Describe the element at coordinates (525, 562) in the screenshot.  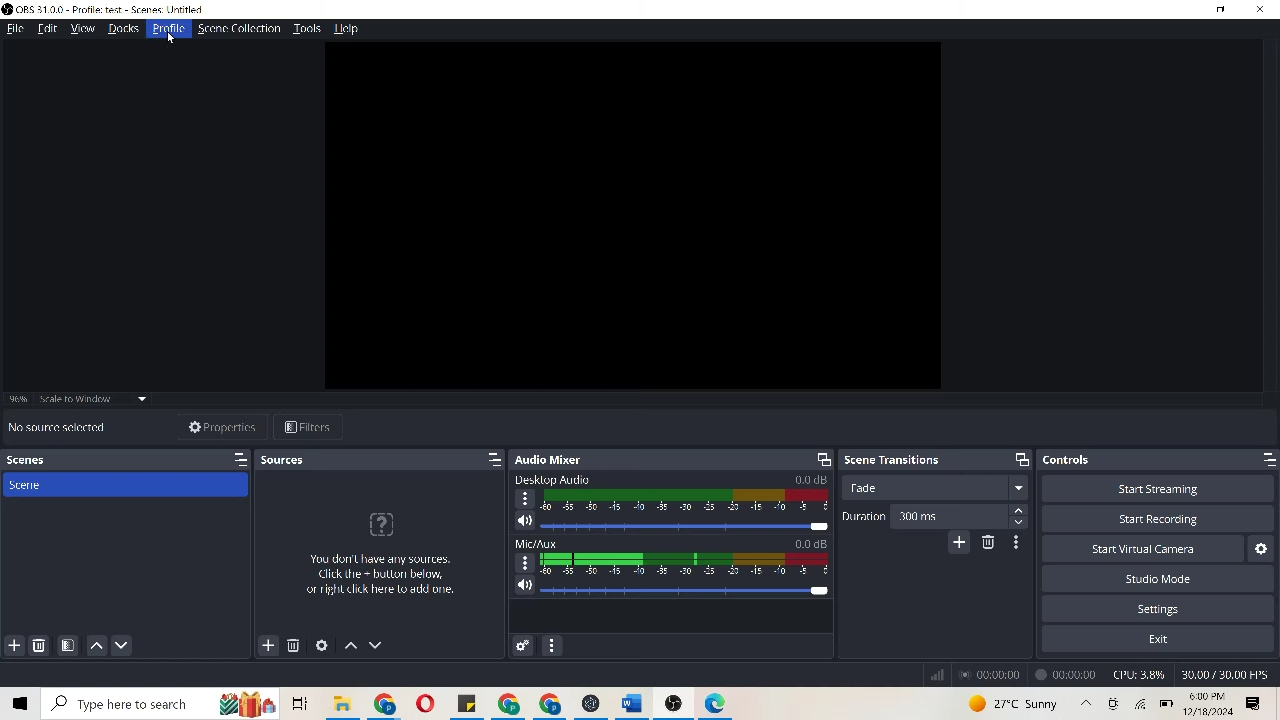
I see `options` at that location.